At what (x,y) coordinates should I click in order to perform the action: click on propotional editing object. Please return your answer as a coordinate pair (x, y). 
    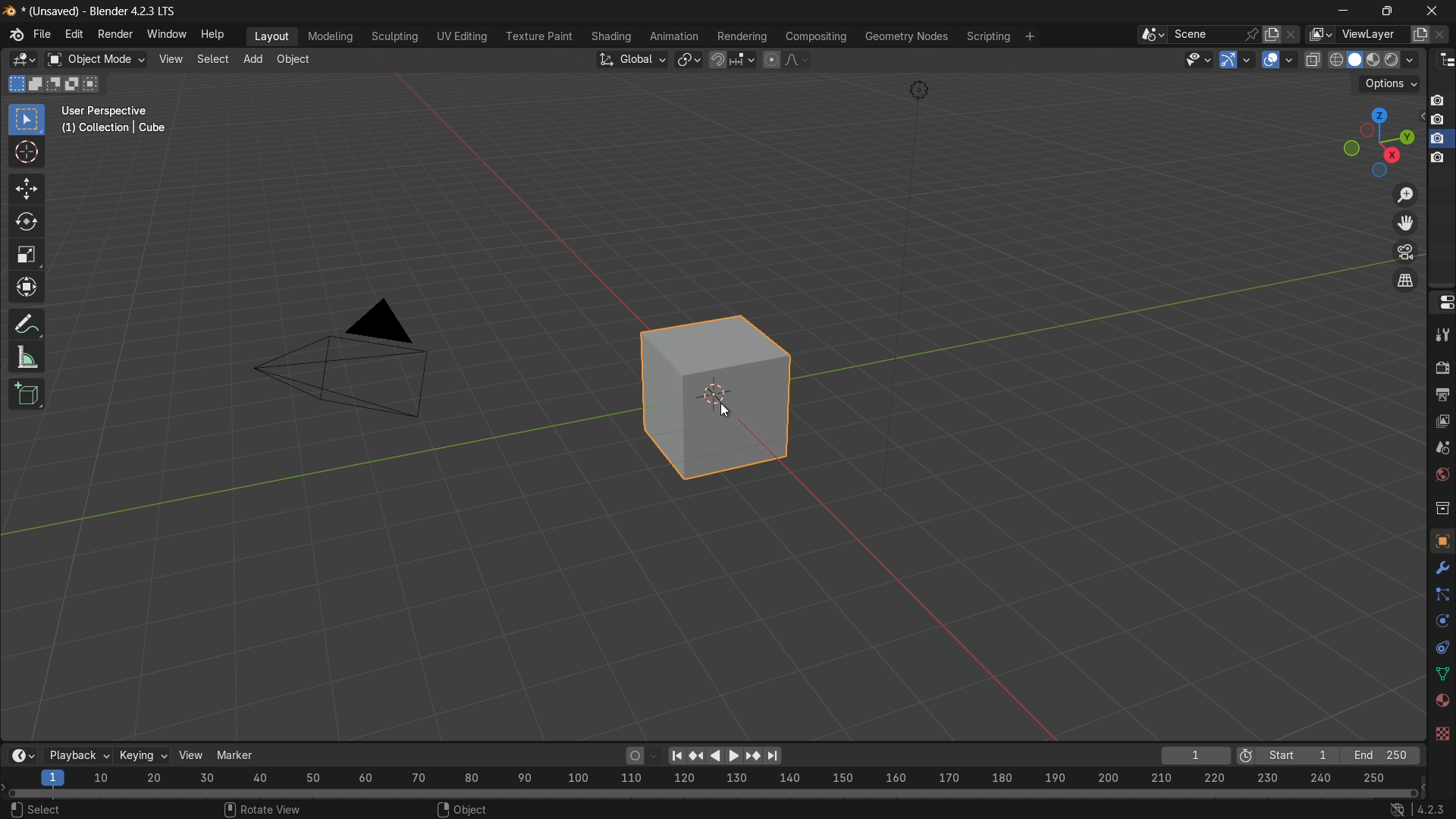
    Looking at the image, I should click on (772, 58).